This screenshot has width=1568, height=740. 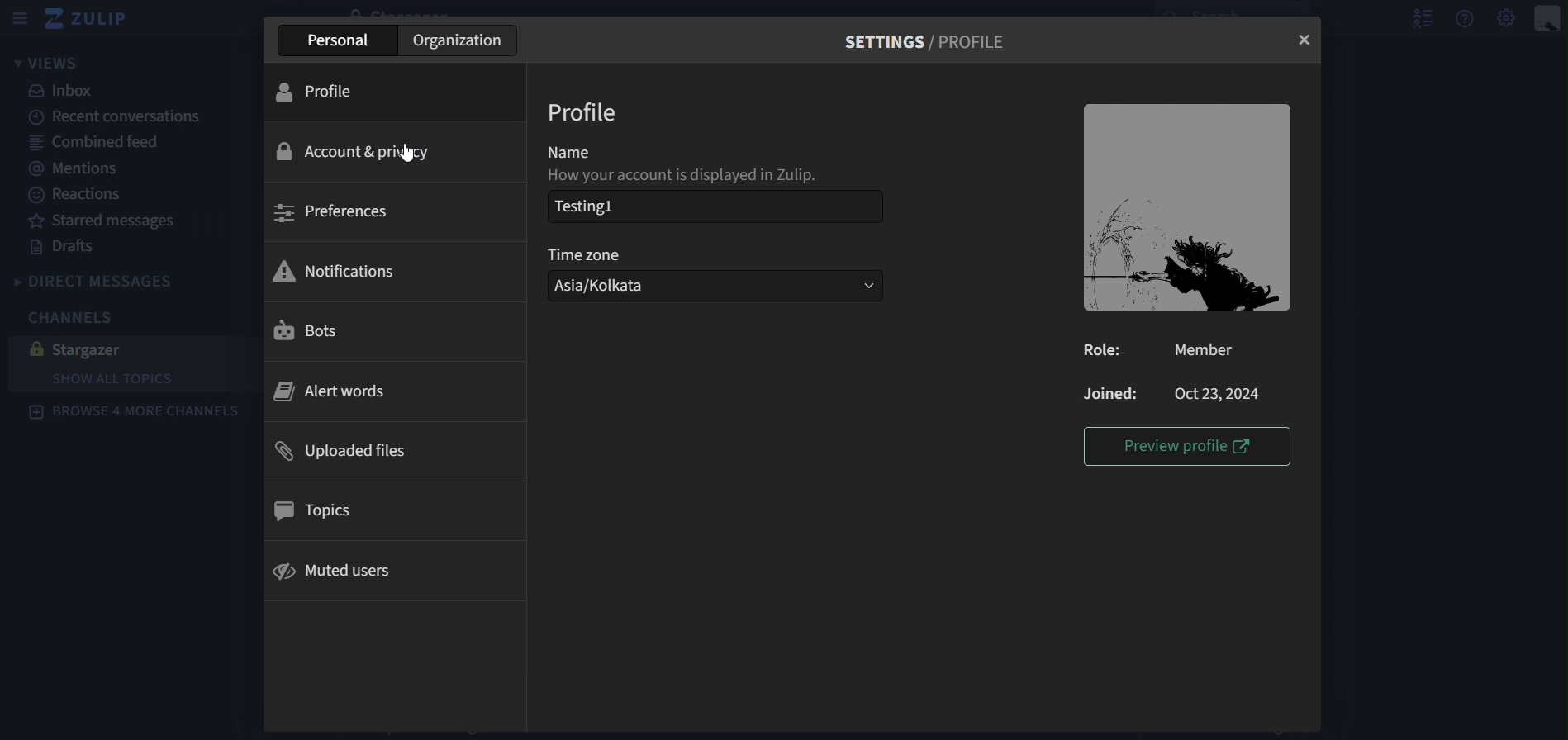 I want to click on views, so click(x=46, y=64).